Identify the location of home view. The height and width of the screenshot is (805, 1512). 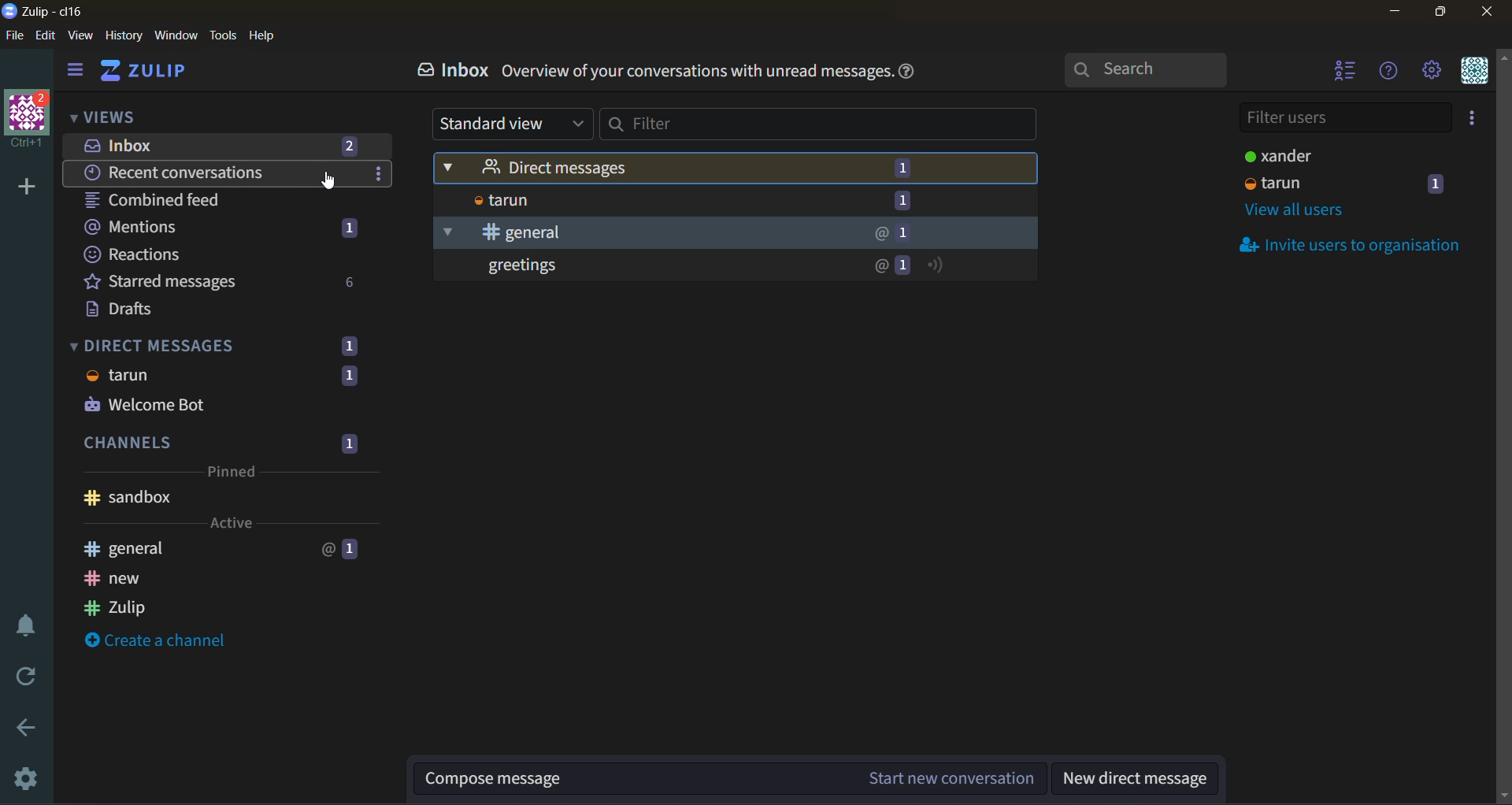
(147, 72).